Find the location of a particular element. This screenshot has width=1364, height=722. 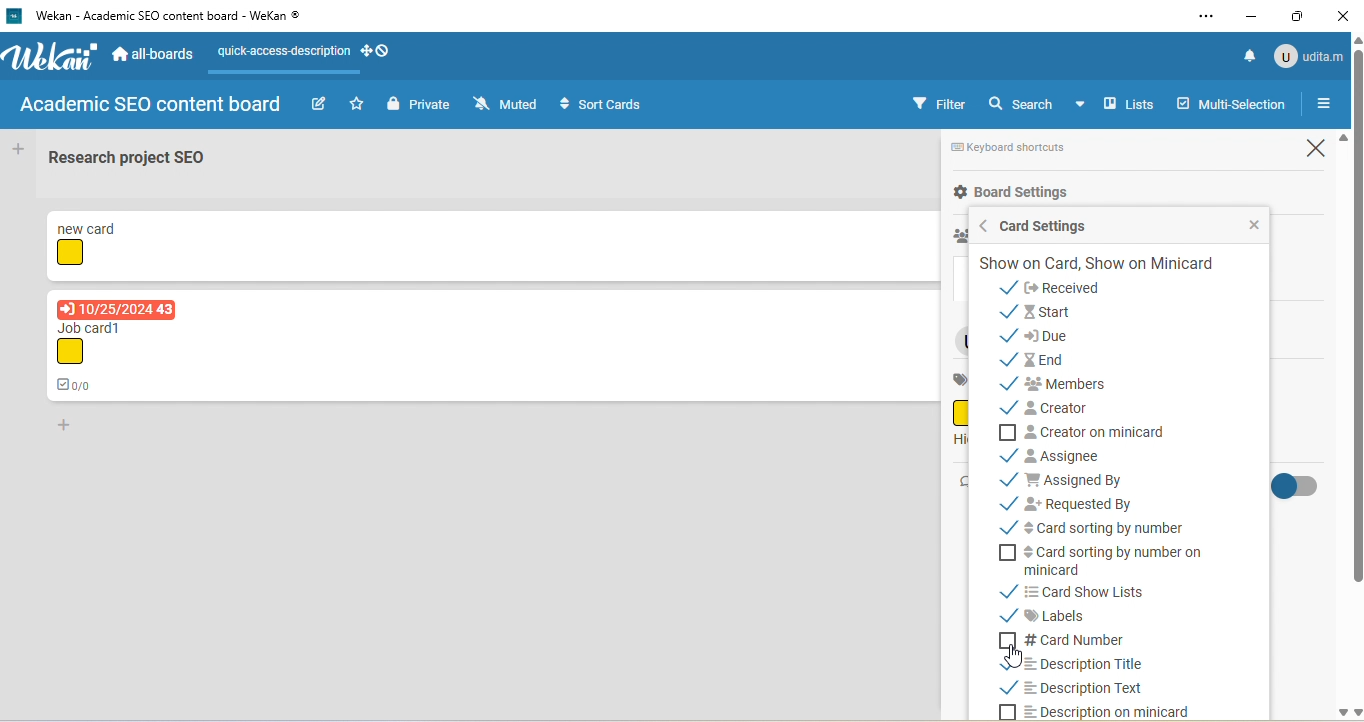

open or close sidebar is located at coordinates (1323, 105).